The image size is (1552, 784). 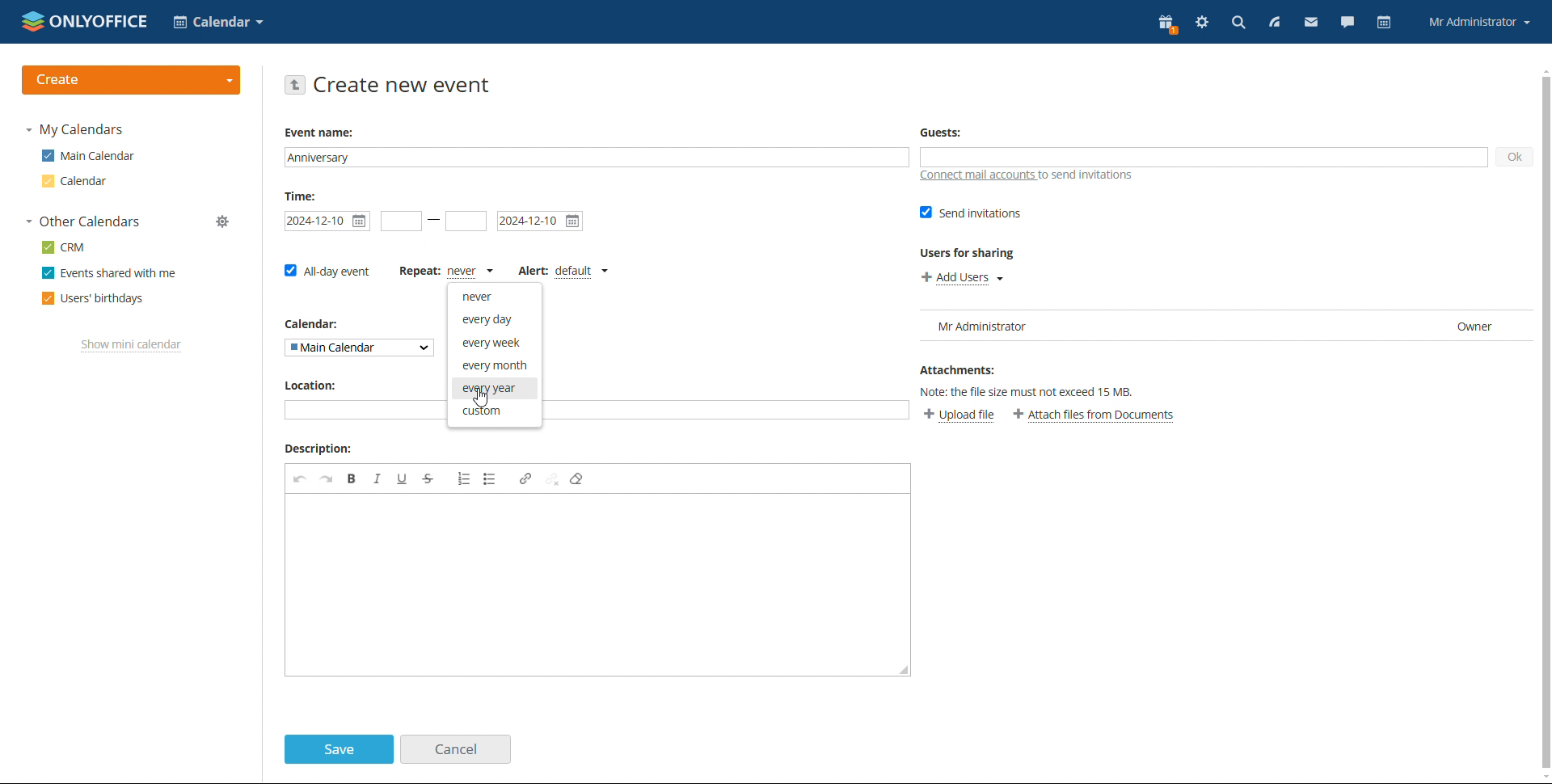 What do you see at coordinates (600, 584) in the screenshot?
I see `` at bounding box center [600, 584].